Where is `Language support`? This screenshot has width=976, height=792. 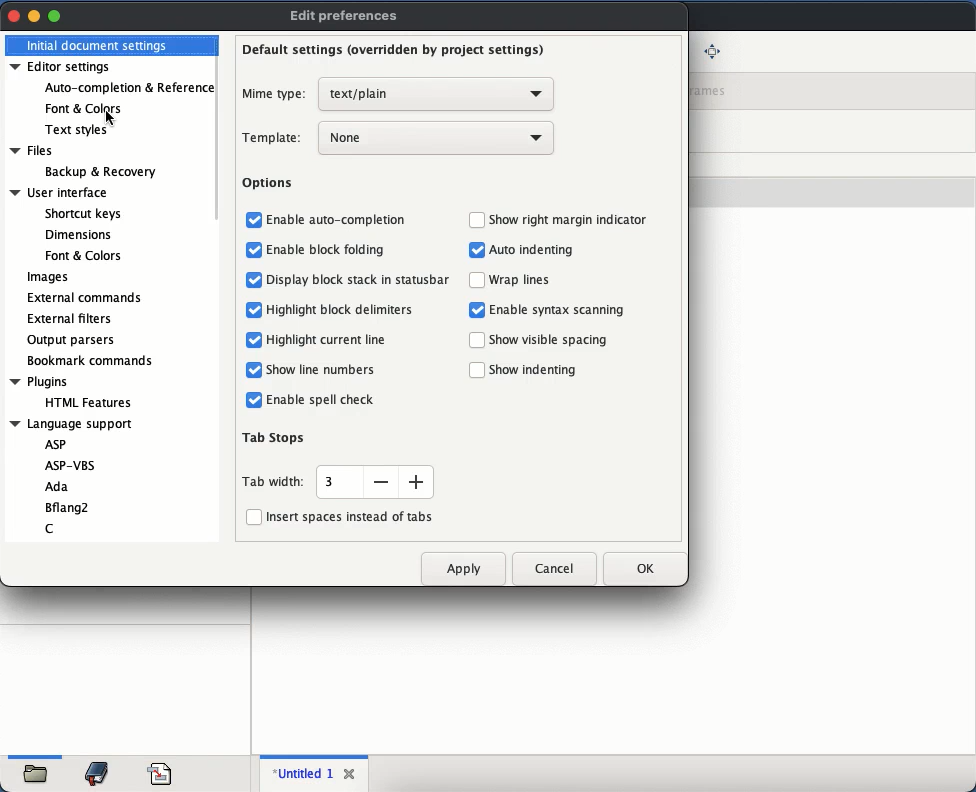
Language support is located at coordinates (74, 425).